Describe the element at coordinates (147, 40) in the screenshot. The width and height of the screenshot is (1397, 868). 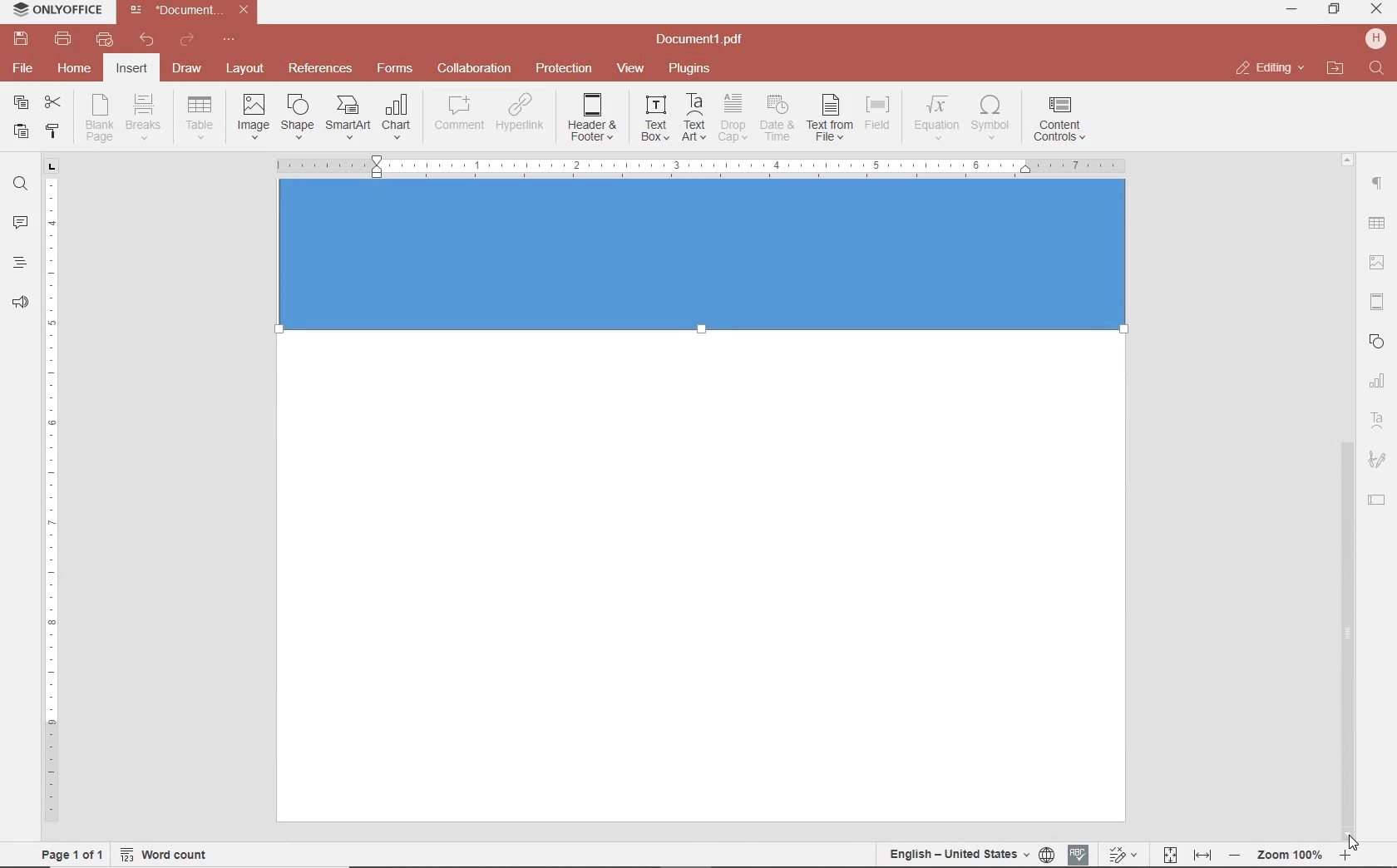
I see `undo` at that location.